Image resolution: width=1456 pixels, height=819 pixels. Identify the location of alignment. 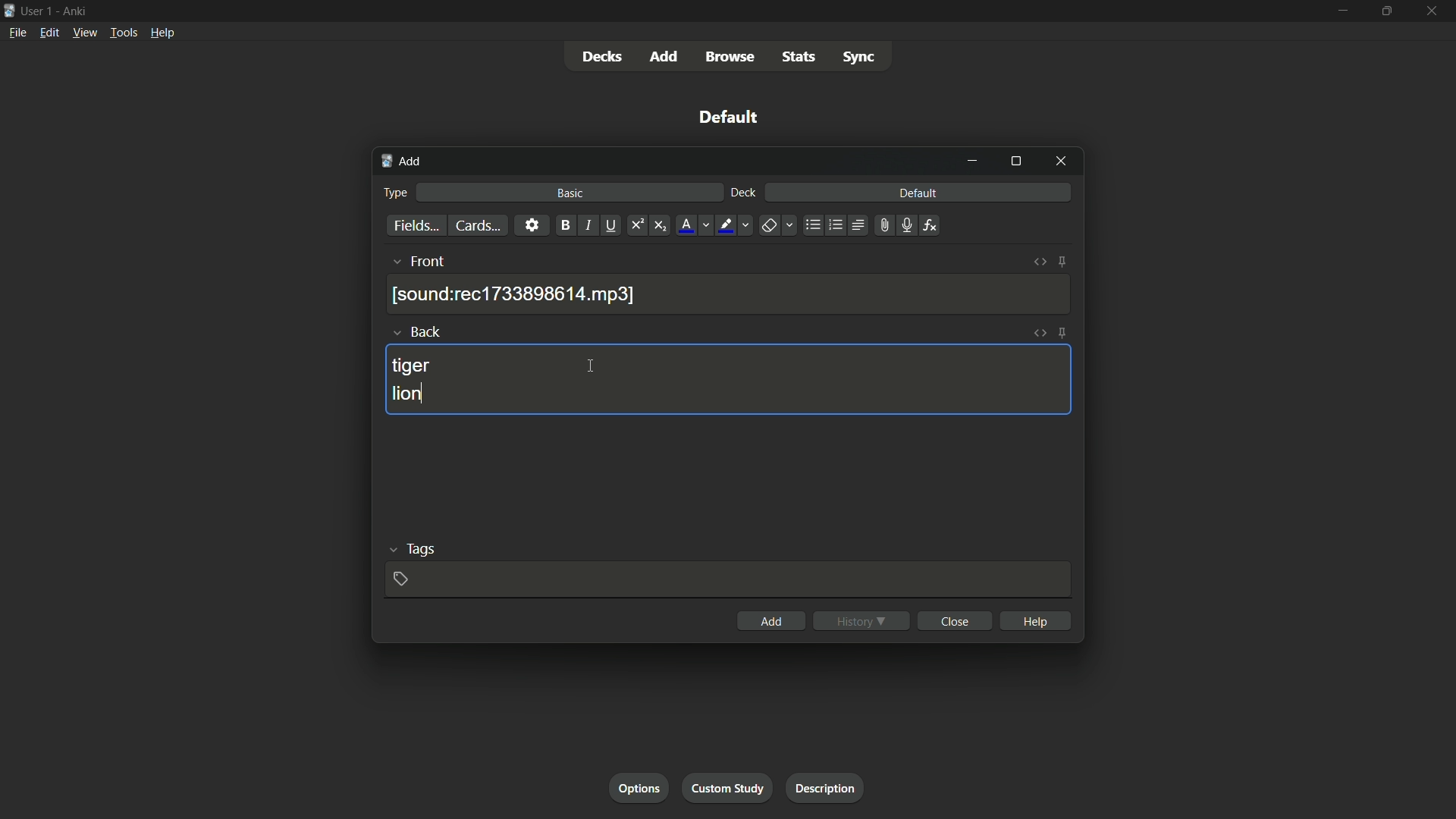
(858, 227).